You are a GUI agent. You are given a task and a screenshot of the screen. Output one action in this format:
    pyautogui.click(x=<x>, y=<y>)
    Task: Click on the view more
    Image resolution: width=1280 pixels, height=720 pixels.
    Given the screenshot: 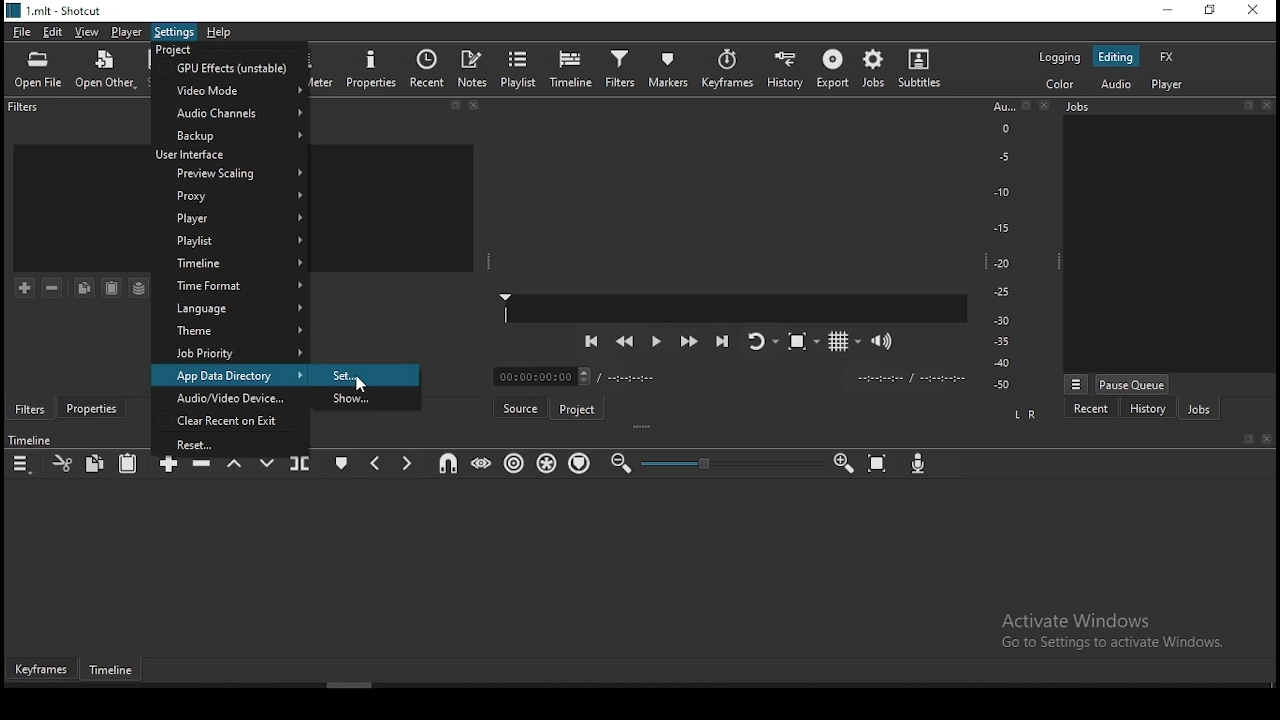 What is the action you would take?
    pyautogui.click(x=1075, y=383)
    